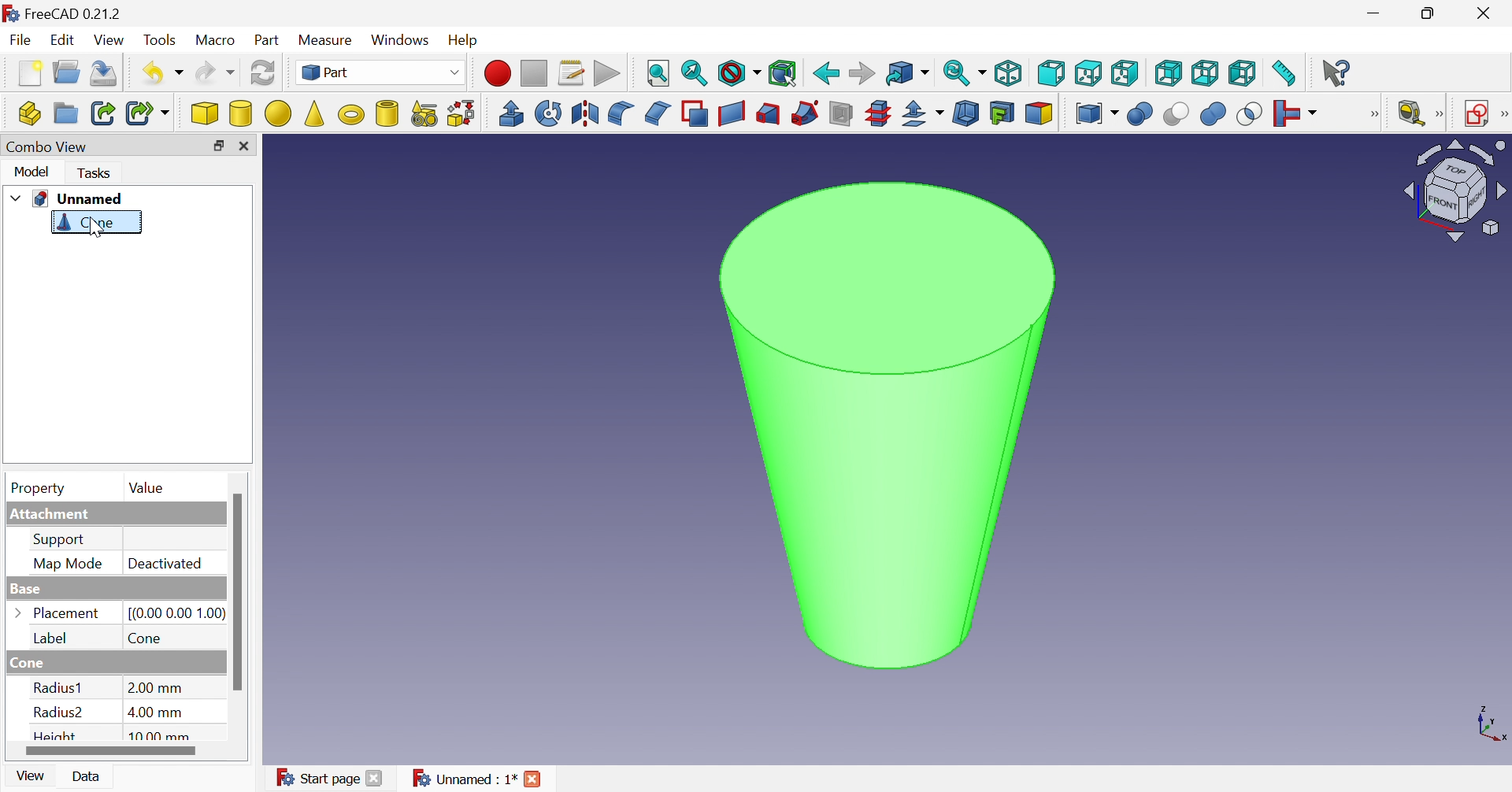  Describe the element at coordinates (63, 41) in the screenshot. I see `Edit` at that location.